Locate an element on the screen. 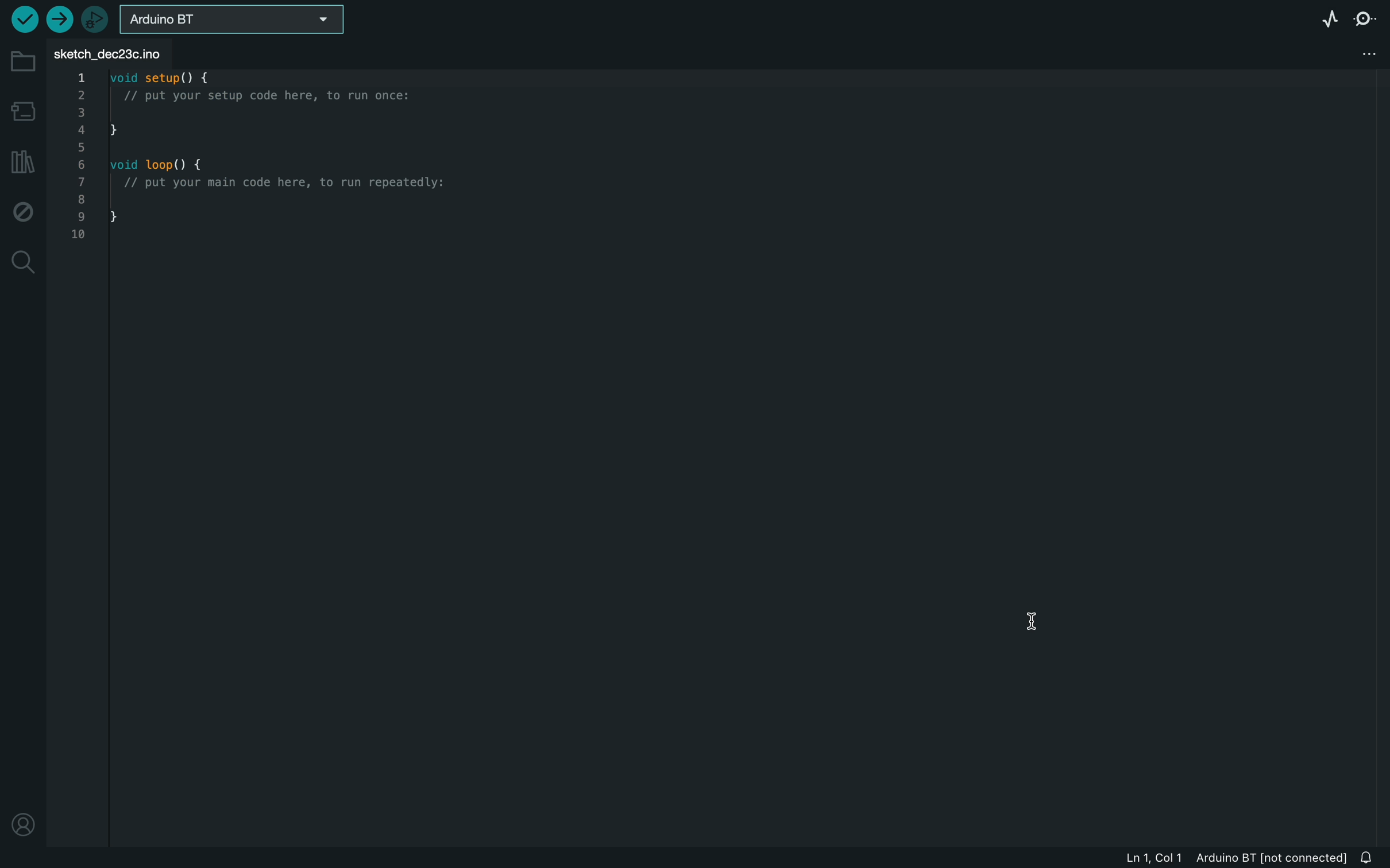  debugger is located at coordinates (24, 211).